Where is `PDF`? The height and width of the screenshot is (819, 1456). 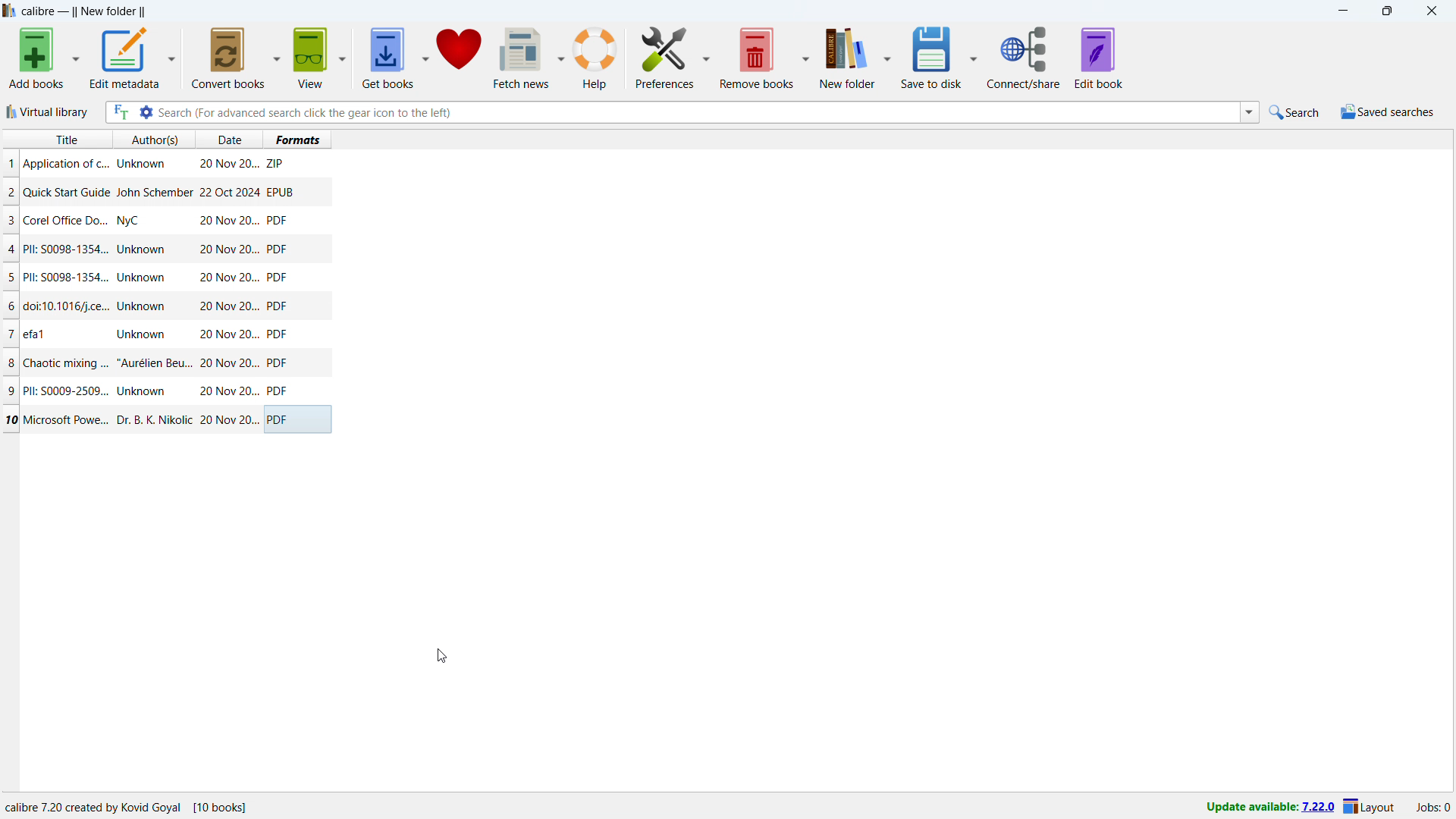
PDF is located at coordinates (279, 306).